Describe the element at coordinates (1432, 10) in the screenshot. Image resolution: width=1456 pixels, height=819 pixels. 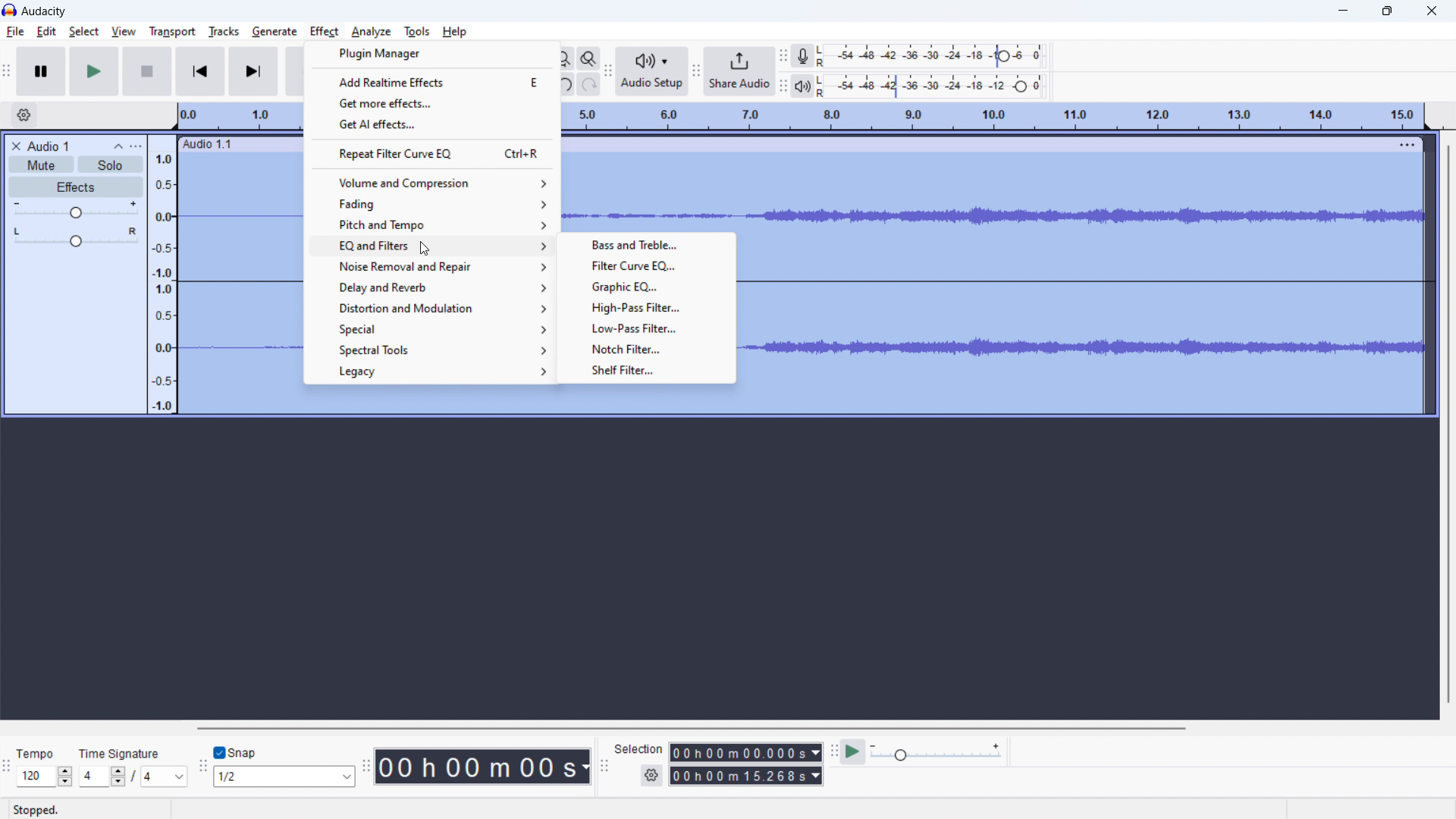
I see `close` at that location.